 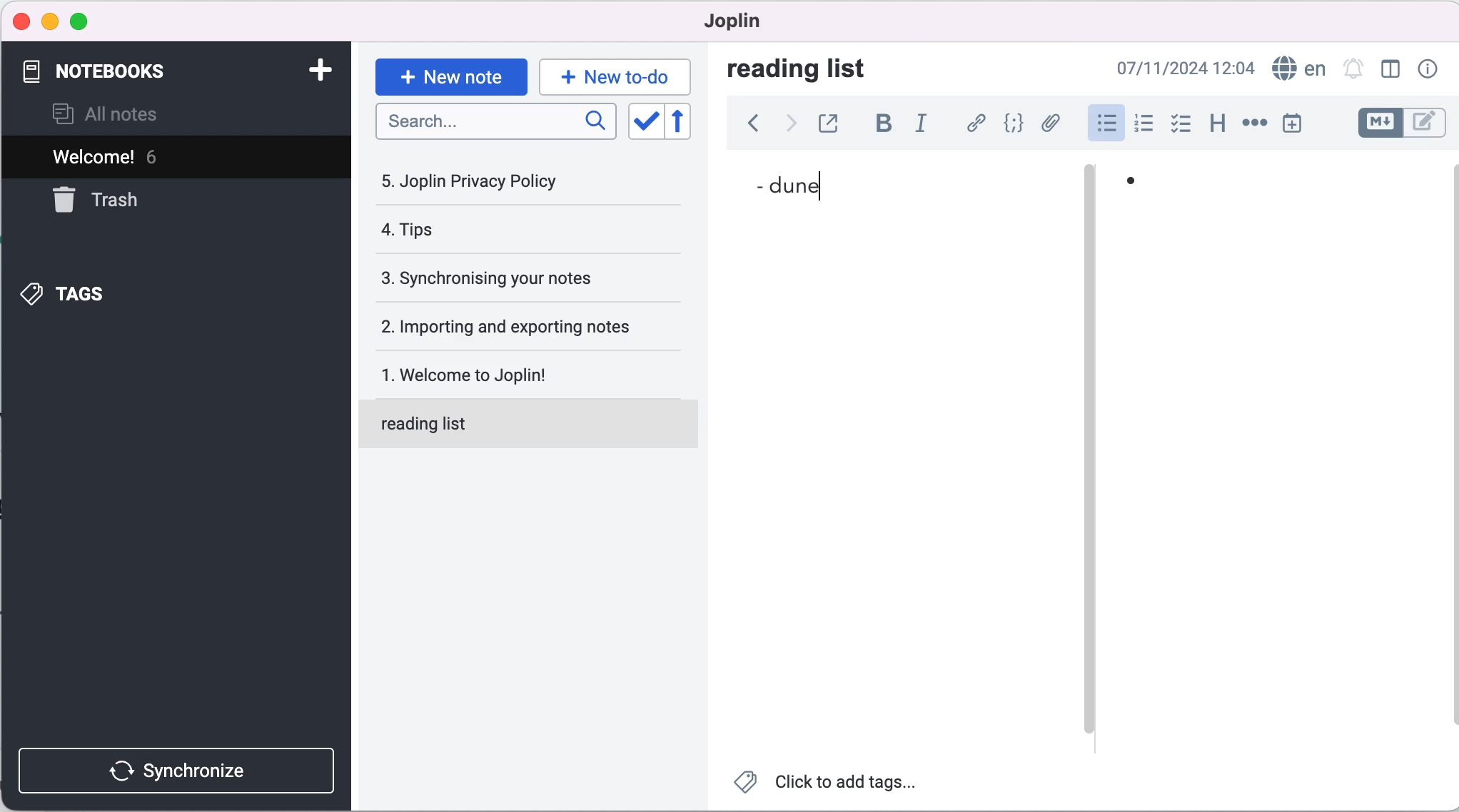 I want to click on toggle external editing, so click(x=835, y=122).